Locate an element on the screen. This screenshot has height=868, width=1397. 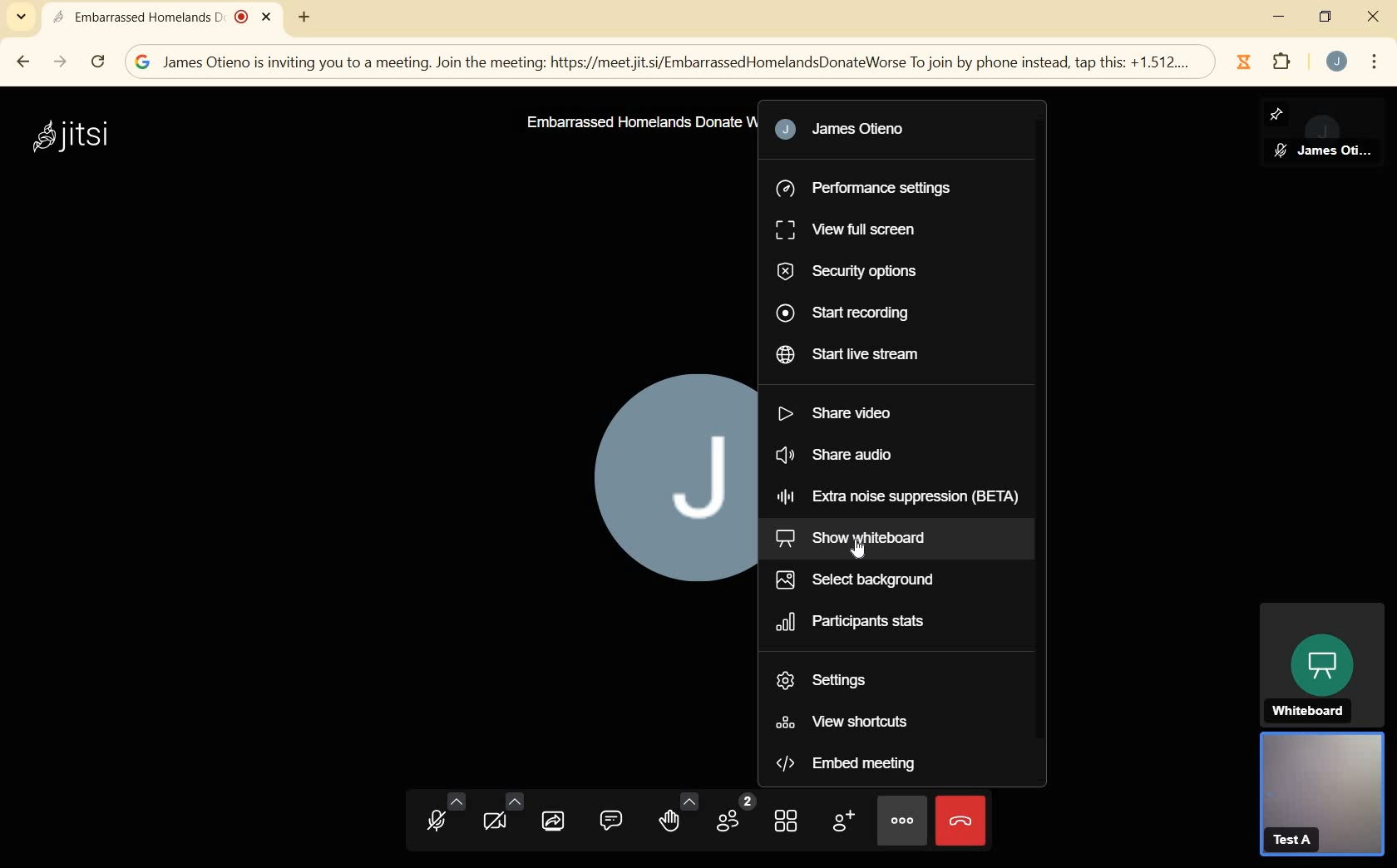
SHARE VIDEO is located at coordinates (842, 417).